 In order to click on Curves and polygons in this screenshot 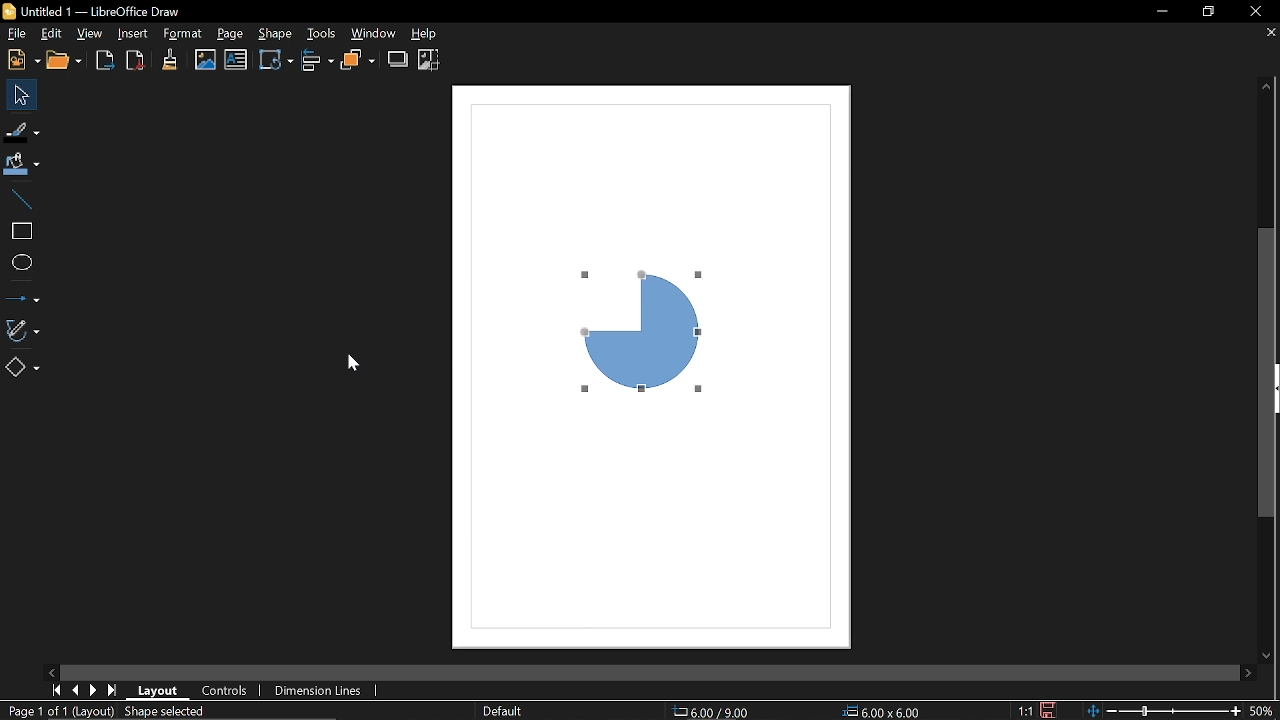, I will do `click(22, 328)`.